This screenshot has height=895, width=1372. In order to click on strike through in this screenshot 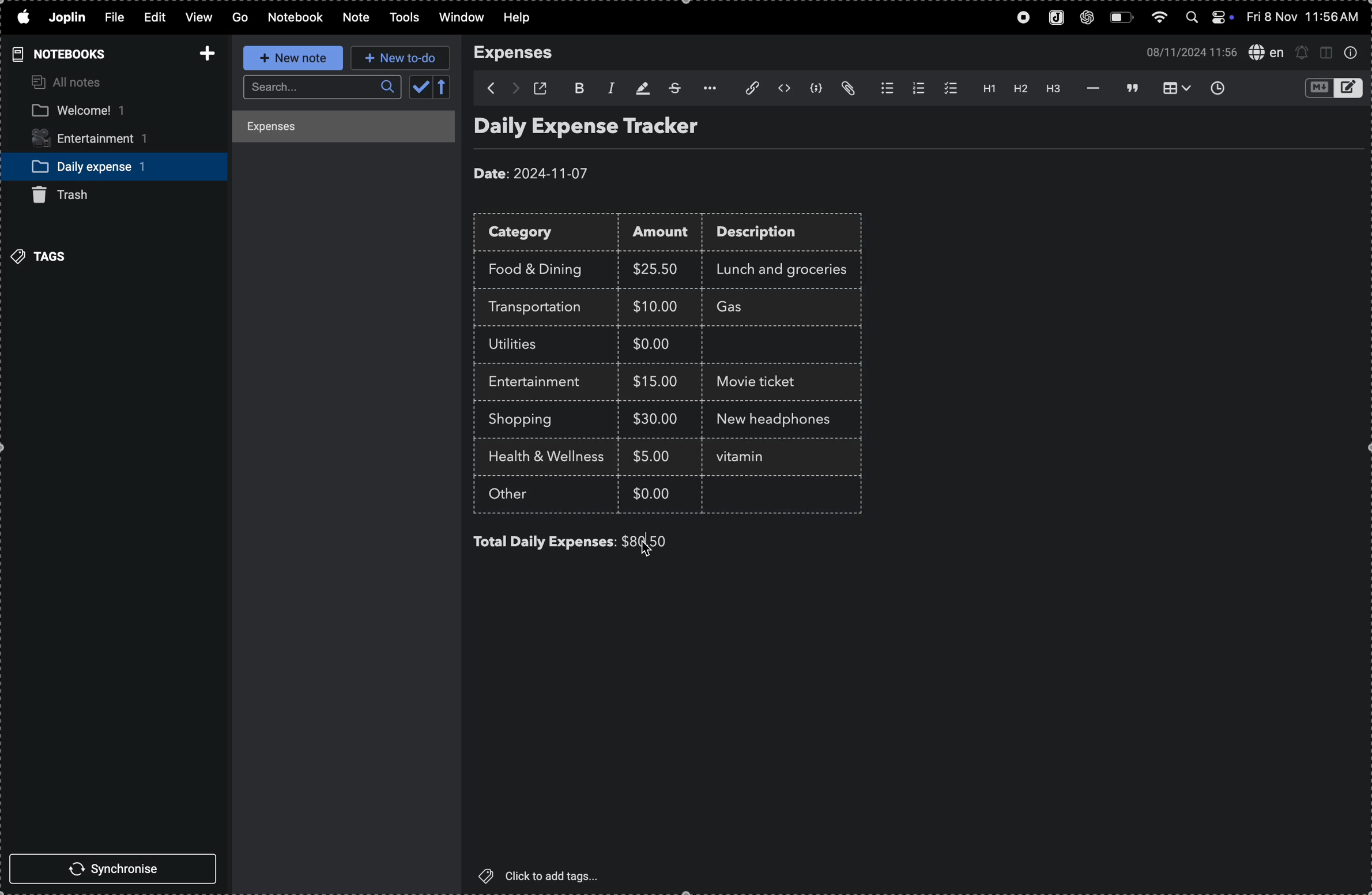, I will do `click(673, 88)`.